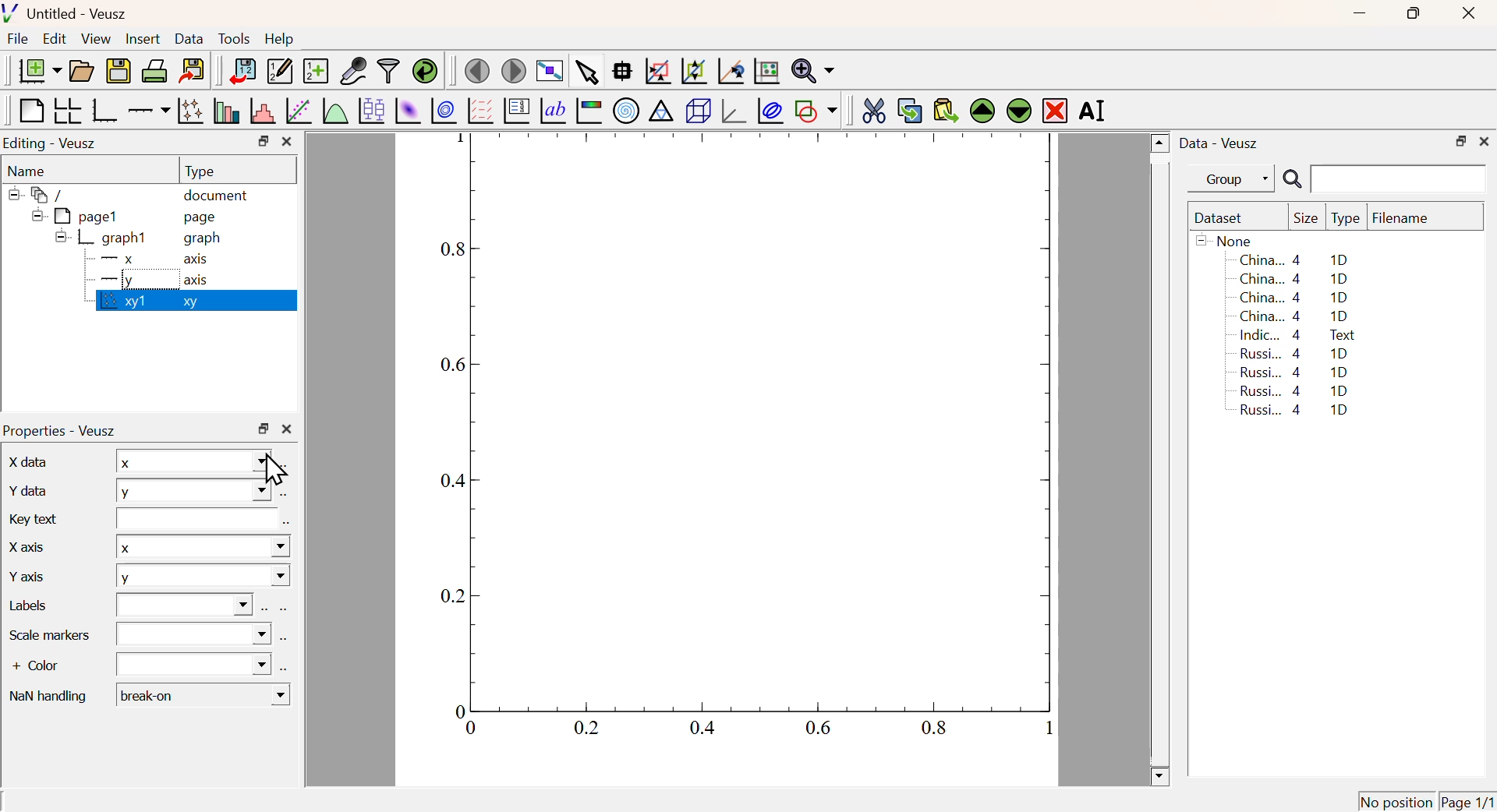 The height and width of the screenshot is (812, 1497). I want to click on 3D graph, so click(735, 112).